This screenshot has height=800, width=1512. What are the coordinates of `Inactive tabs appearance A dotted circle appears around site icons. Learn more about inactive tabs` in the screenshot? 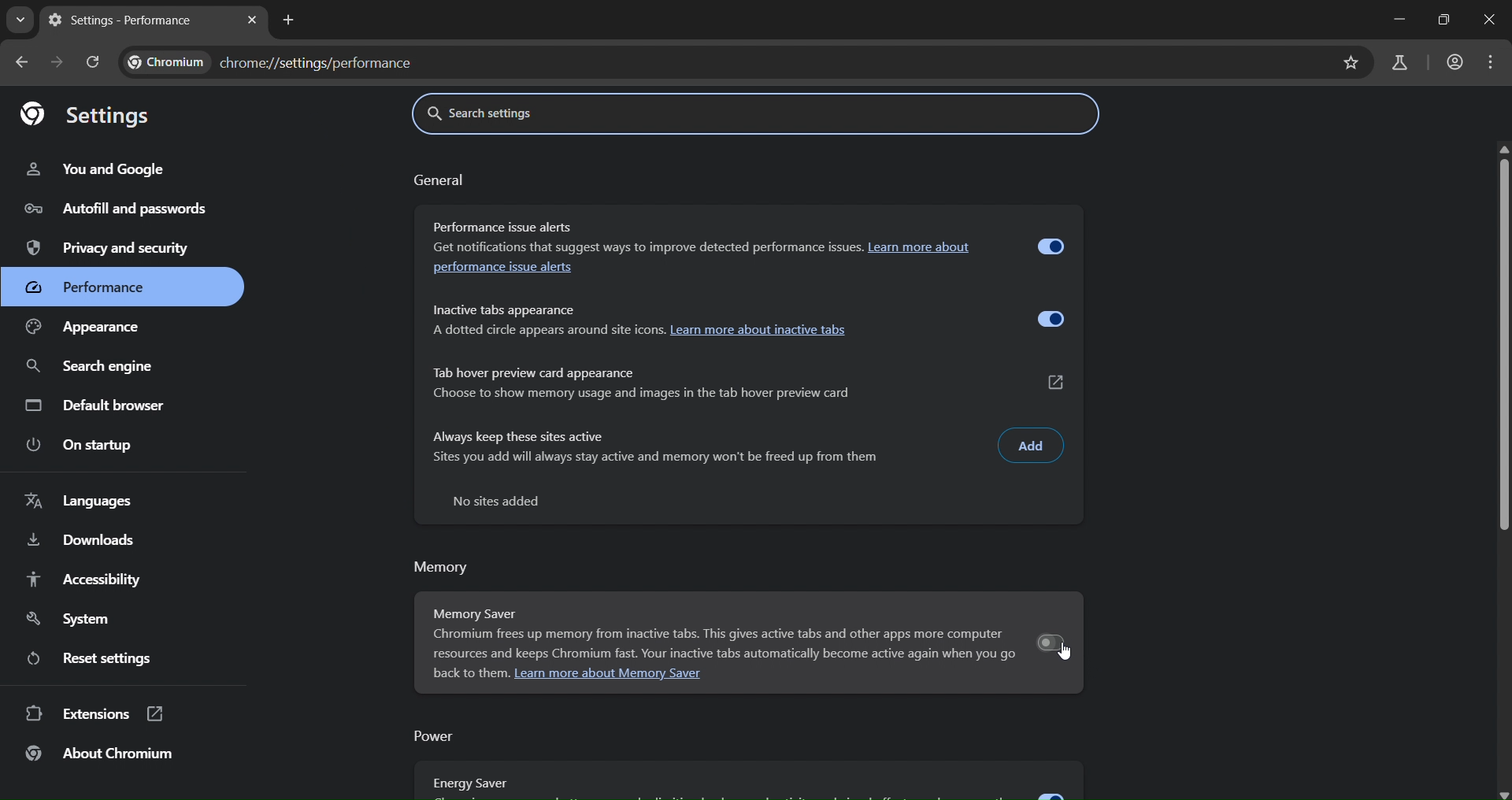 It's located at (719, 326).